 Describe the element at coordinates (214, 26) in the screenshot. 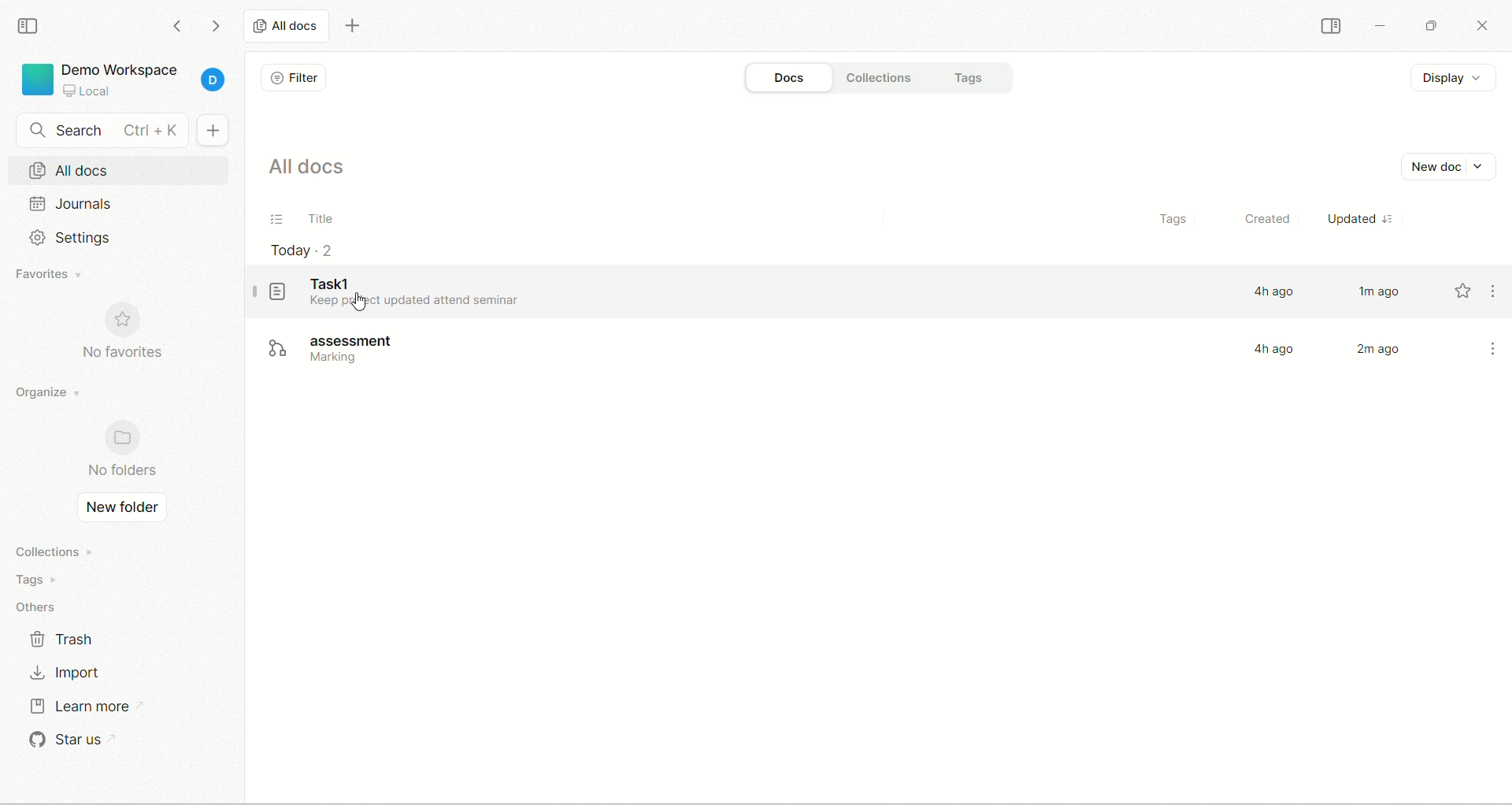

I see `go forward` at that location.